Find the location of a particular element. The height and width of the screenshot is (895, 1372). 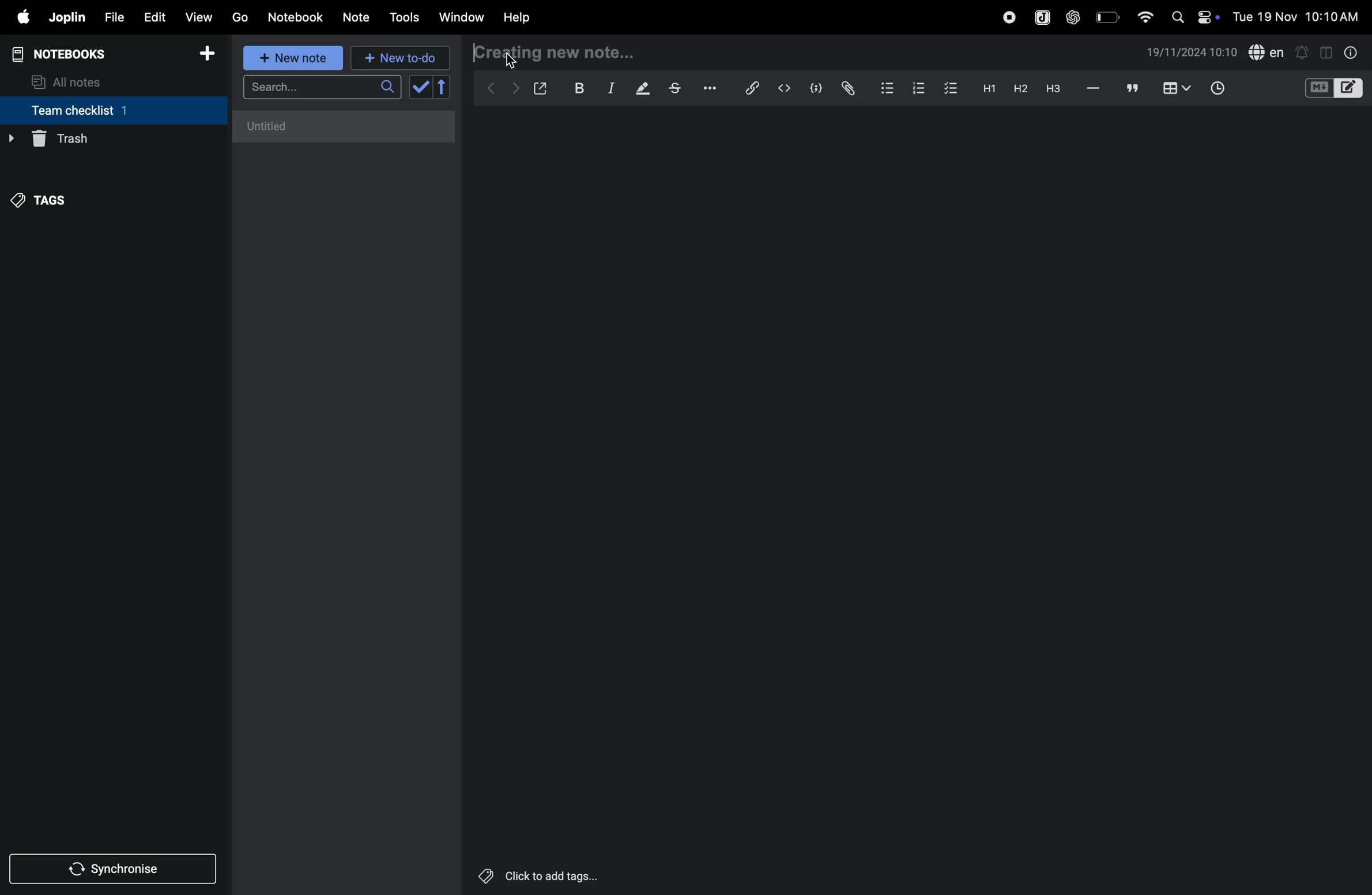

attach file is located at coordinates (847, 88).